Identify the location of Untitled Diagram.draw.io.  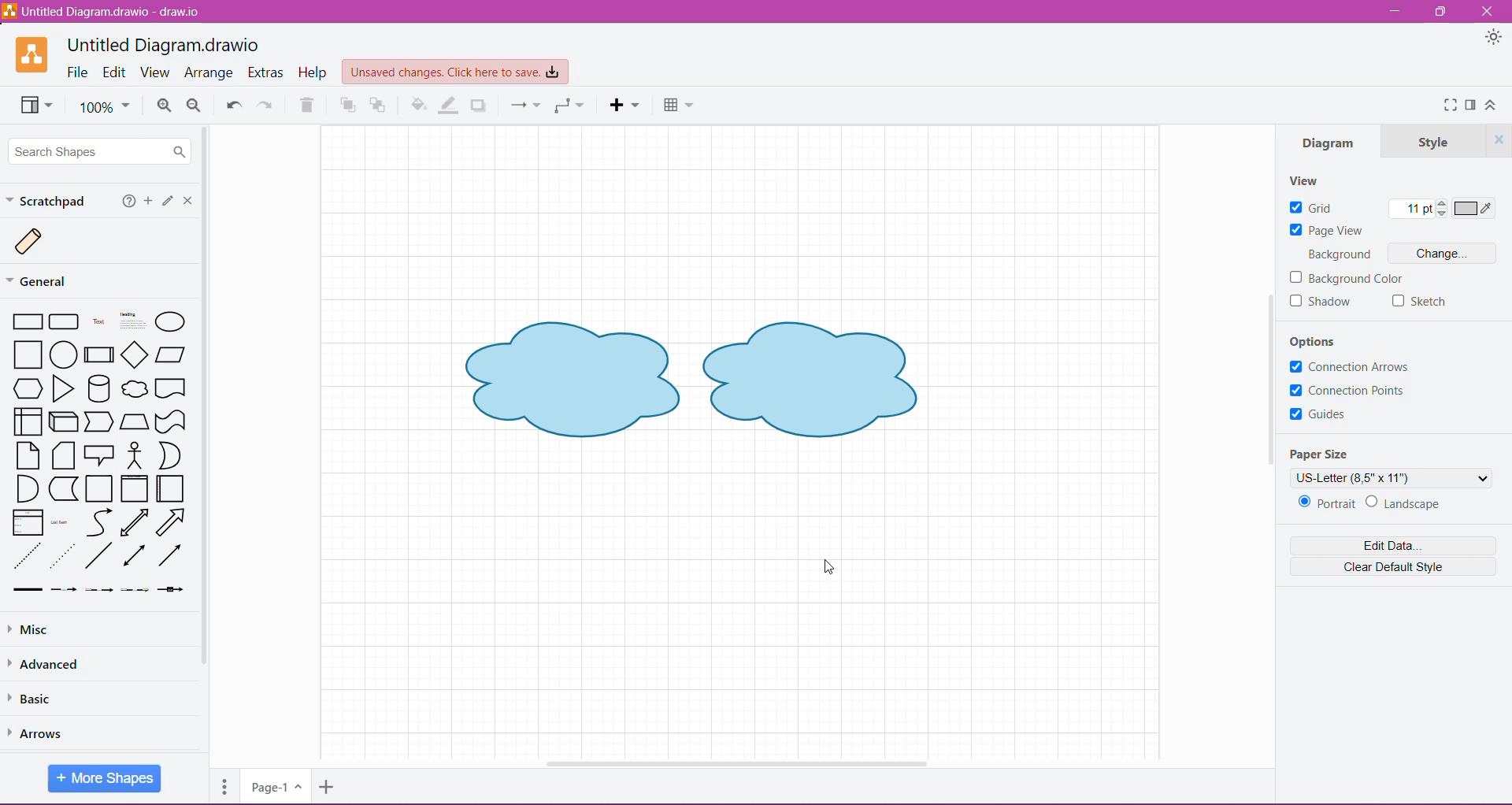
(164, 43).